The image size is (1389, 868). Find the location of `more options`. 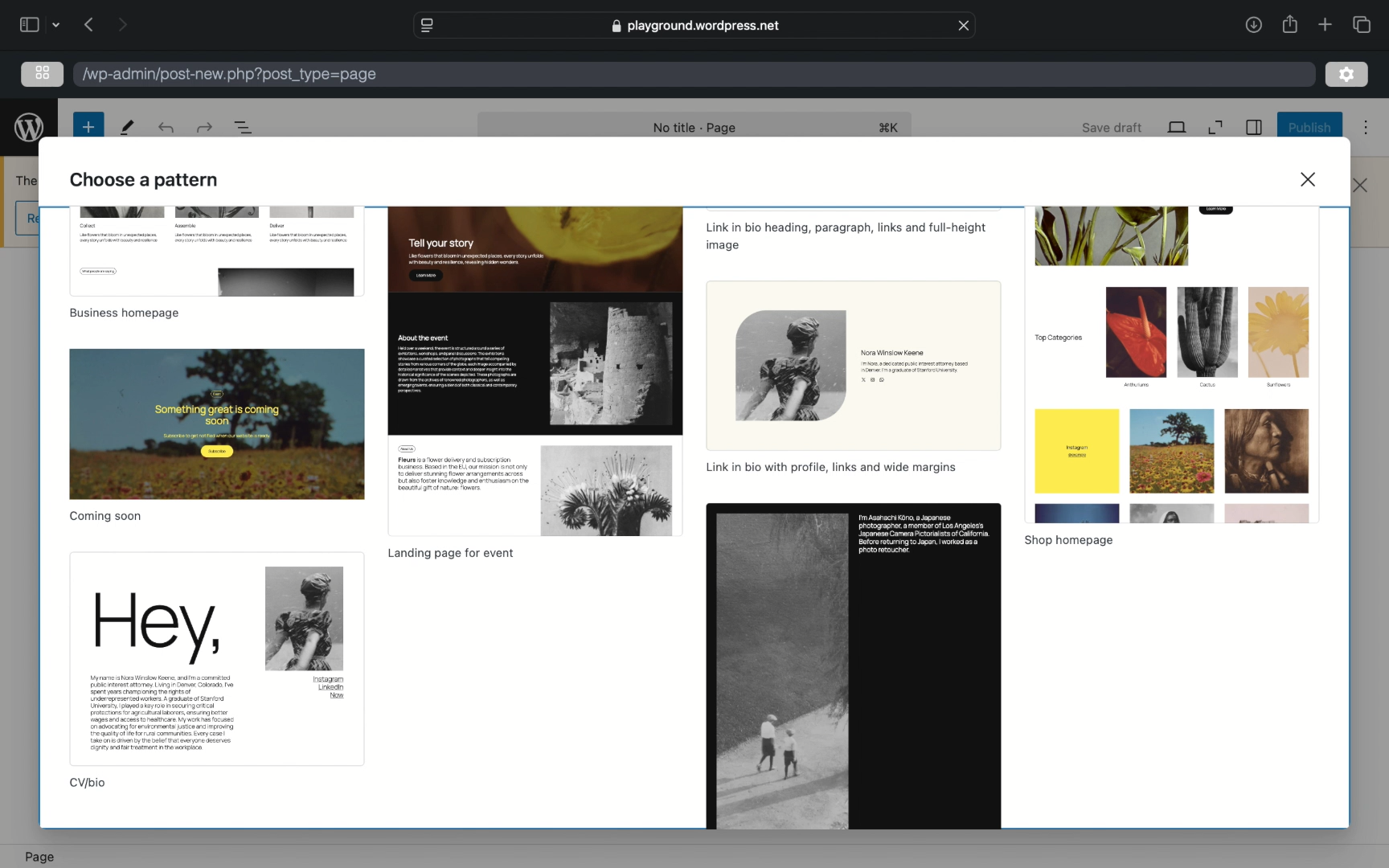

more options is located at coordinates (1366, 128).